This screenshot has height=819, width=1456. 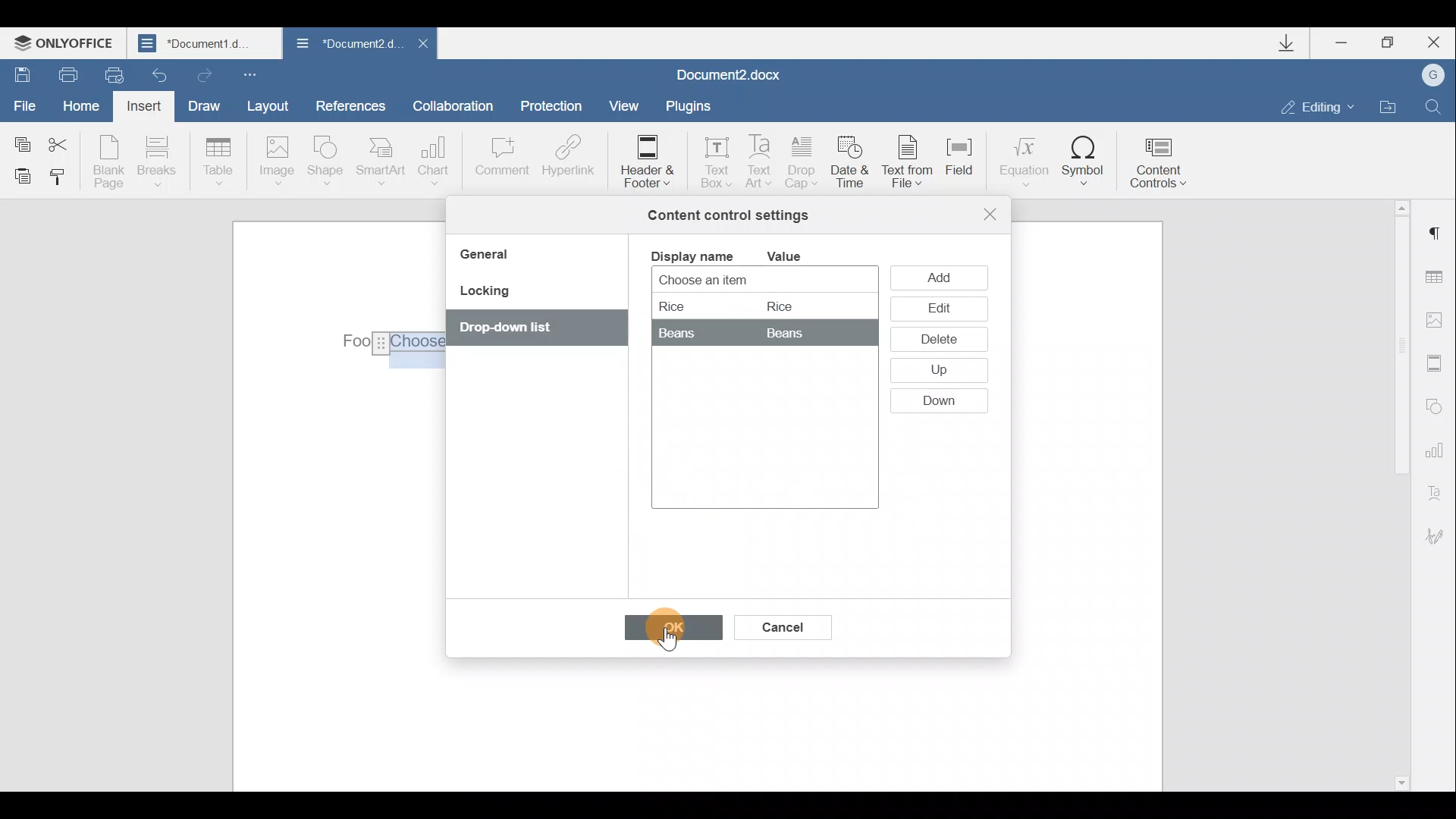 I want to click on Downloads, so click(x=1292, y=43).